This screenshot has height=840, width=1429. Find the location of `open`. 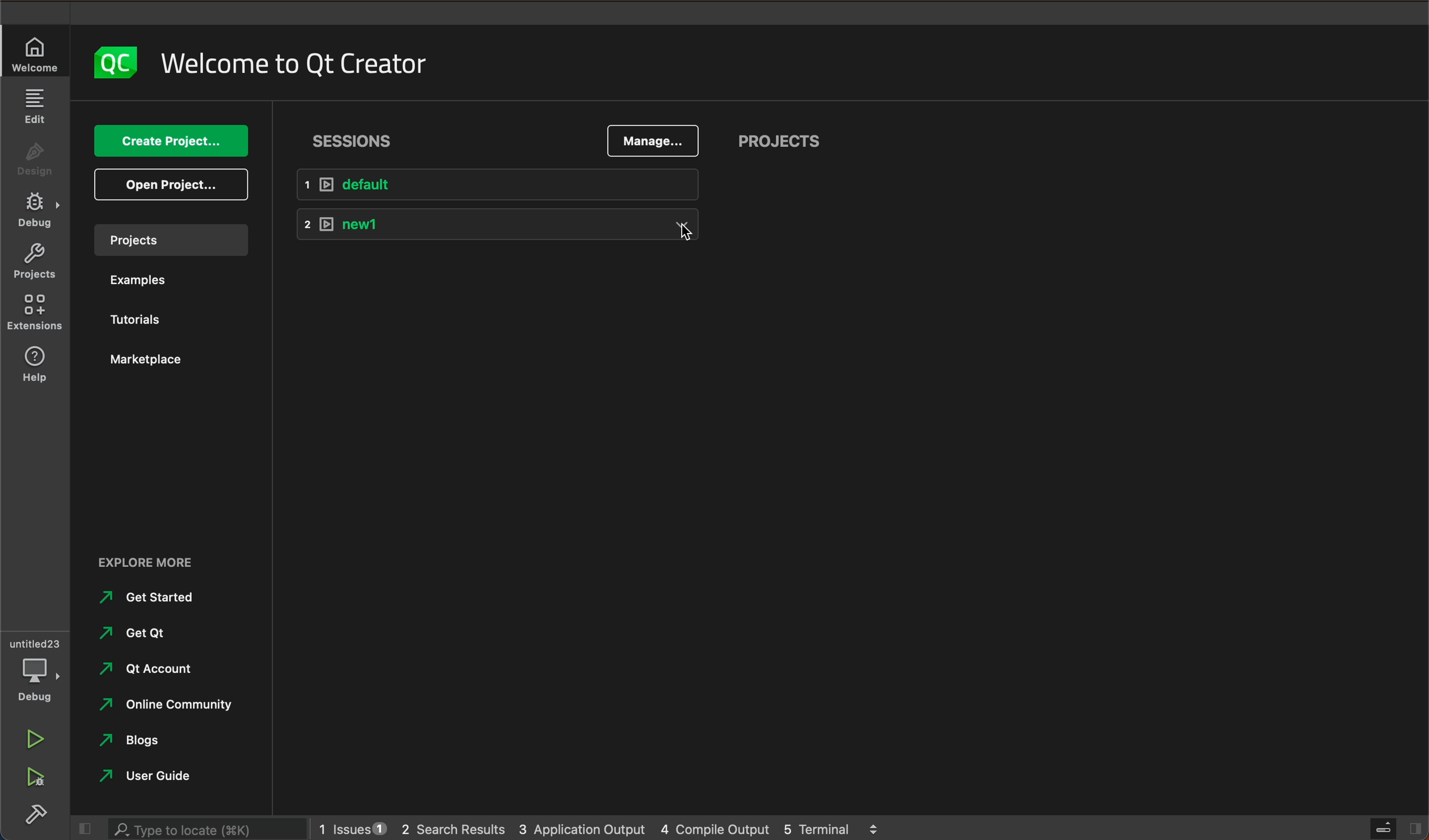

open is located at coordinates (172, 184).